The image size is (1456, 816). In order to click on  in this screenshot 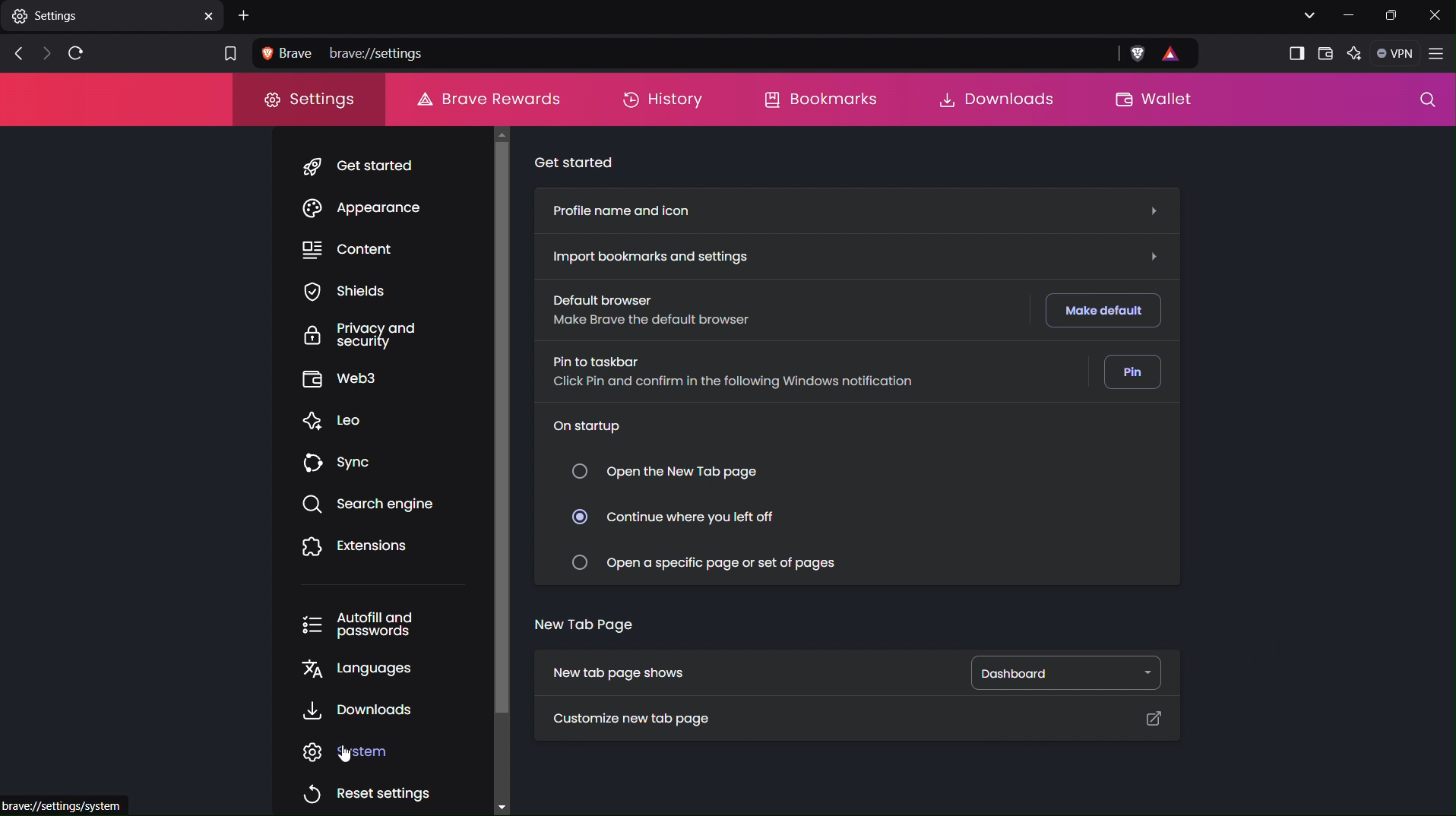, I will do `click(1152, 255)`.